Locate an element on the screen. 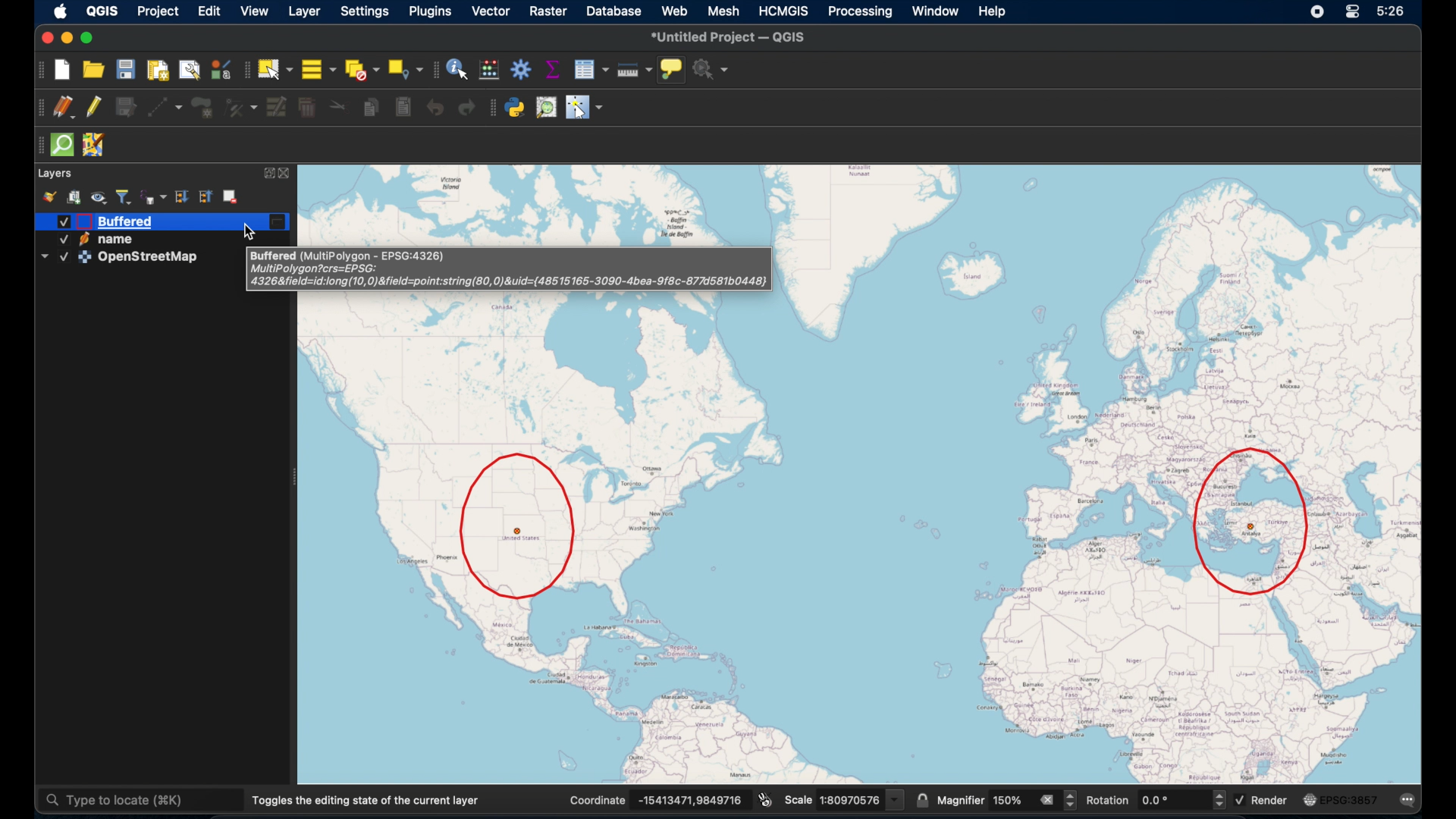 This screenshot has width=1456, height=819. magnifier is located at coordinates (959, 799).